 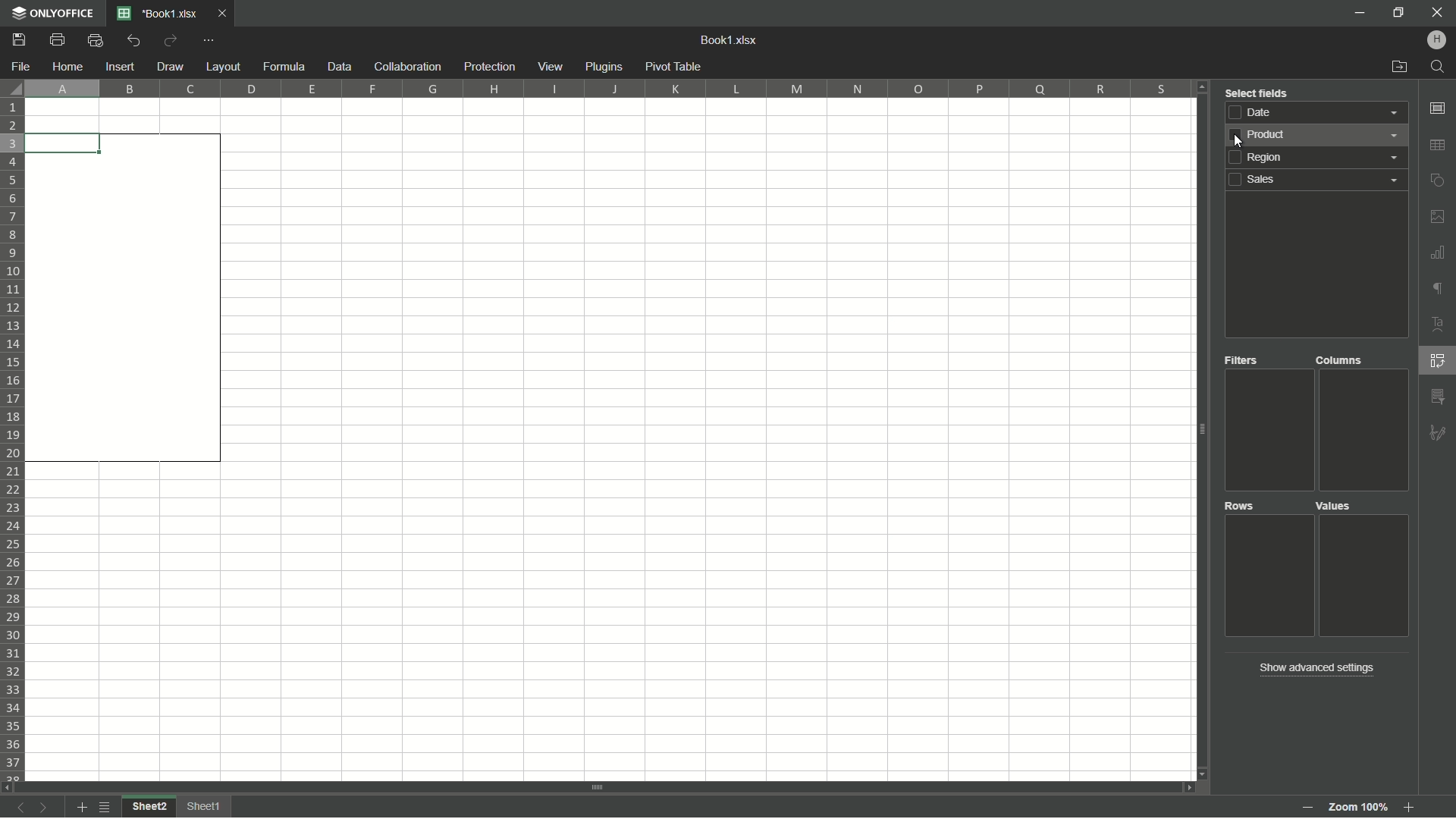 What do you see at coordinates (170, 65) in the screenshot?
I see `Draw` at bounding box center [170, 65].